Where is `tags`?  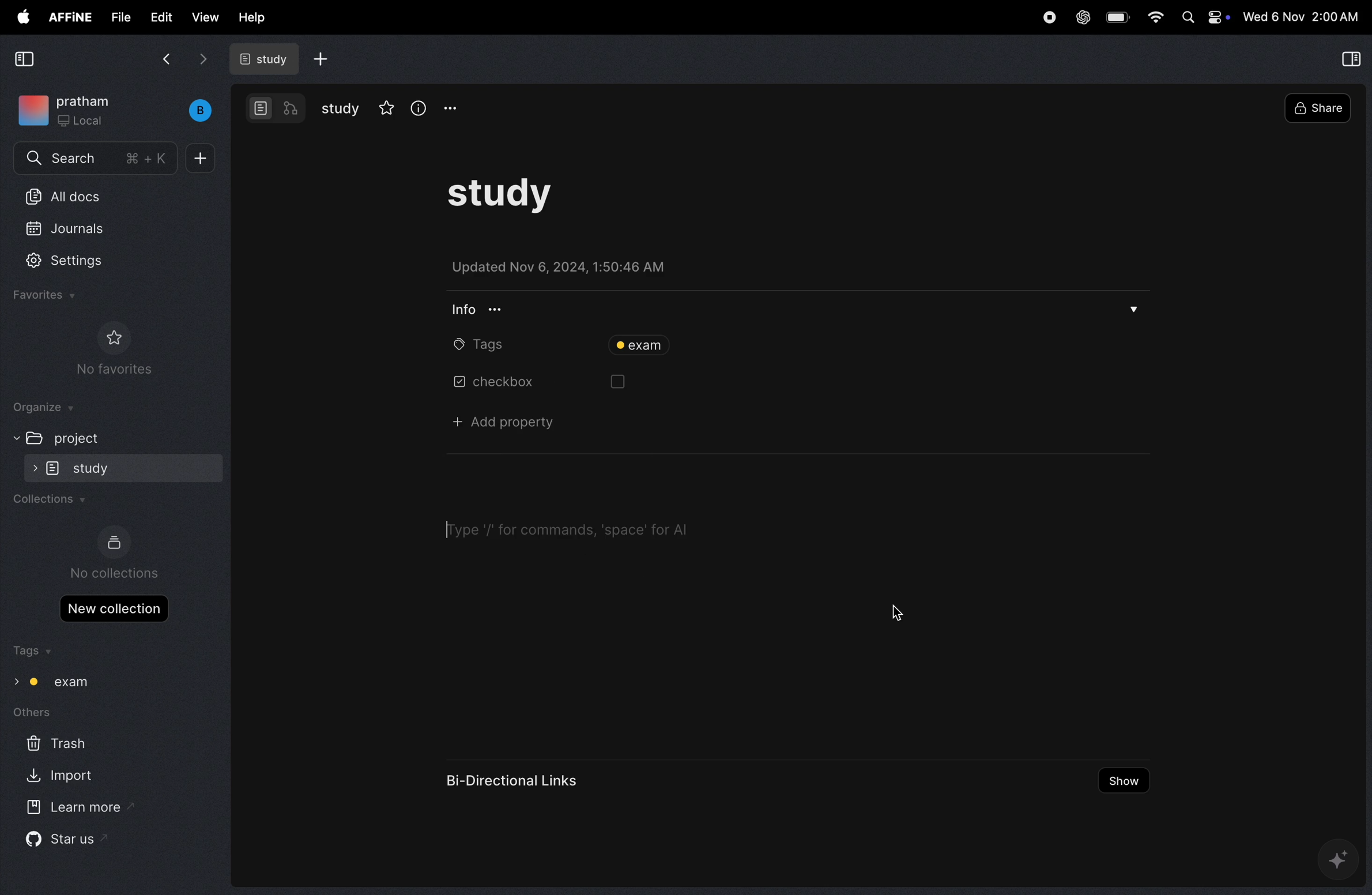
tags is located at coordinates (471, 344).